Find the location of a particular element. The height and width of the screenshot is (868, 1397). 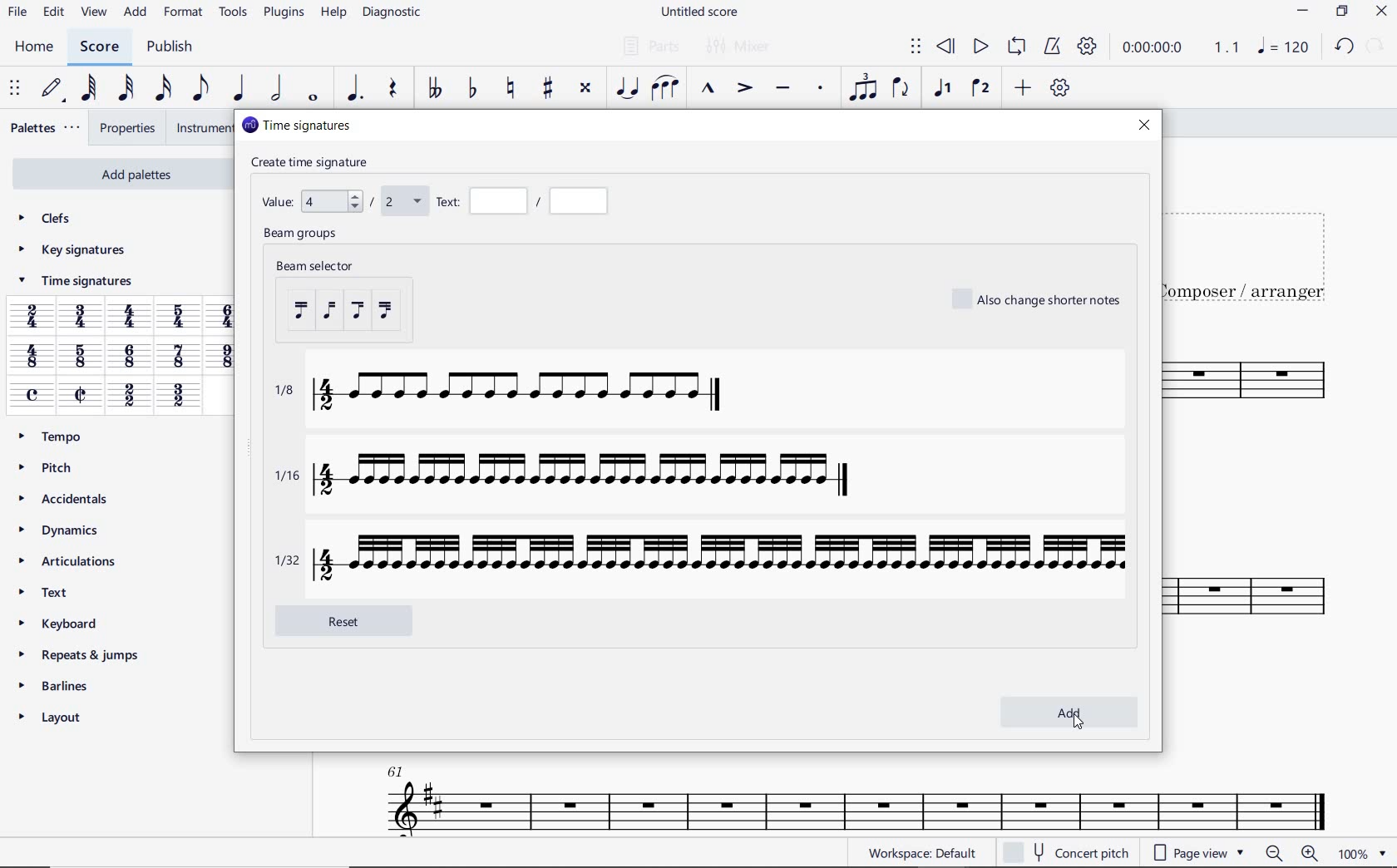

INSTRUMENT: TENOR SAXOPHONE is located at coordinates (848, 794).